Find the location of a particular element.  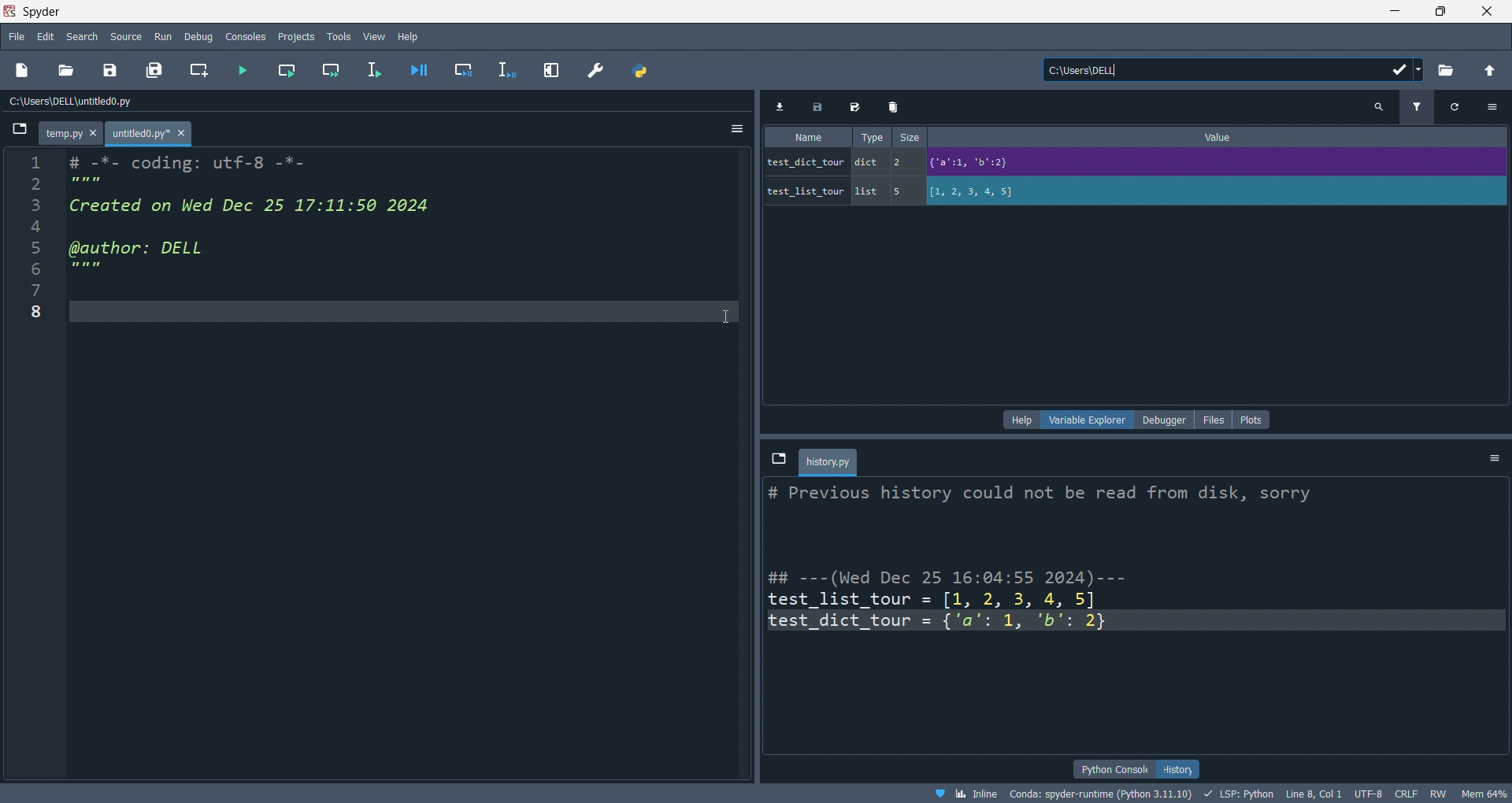

filter is located at coordinates (1415, 109).